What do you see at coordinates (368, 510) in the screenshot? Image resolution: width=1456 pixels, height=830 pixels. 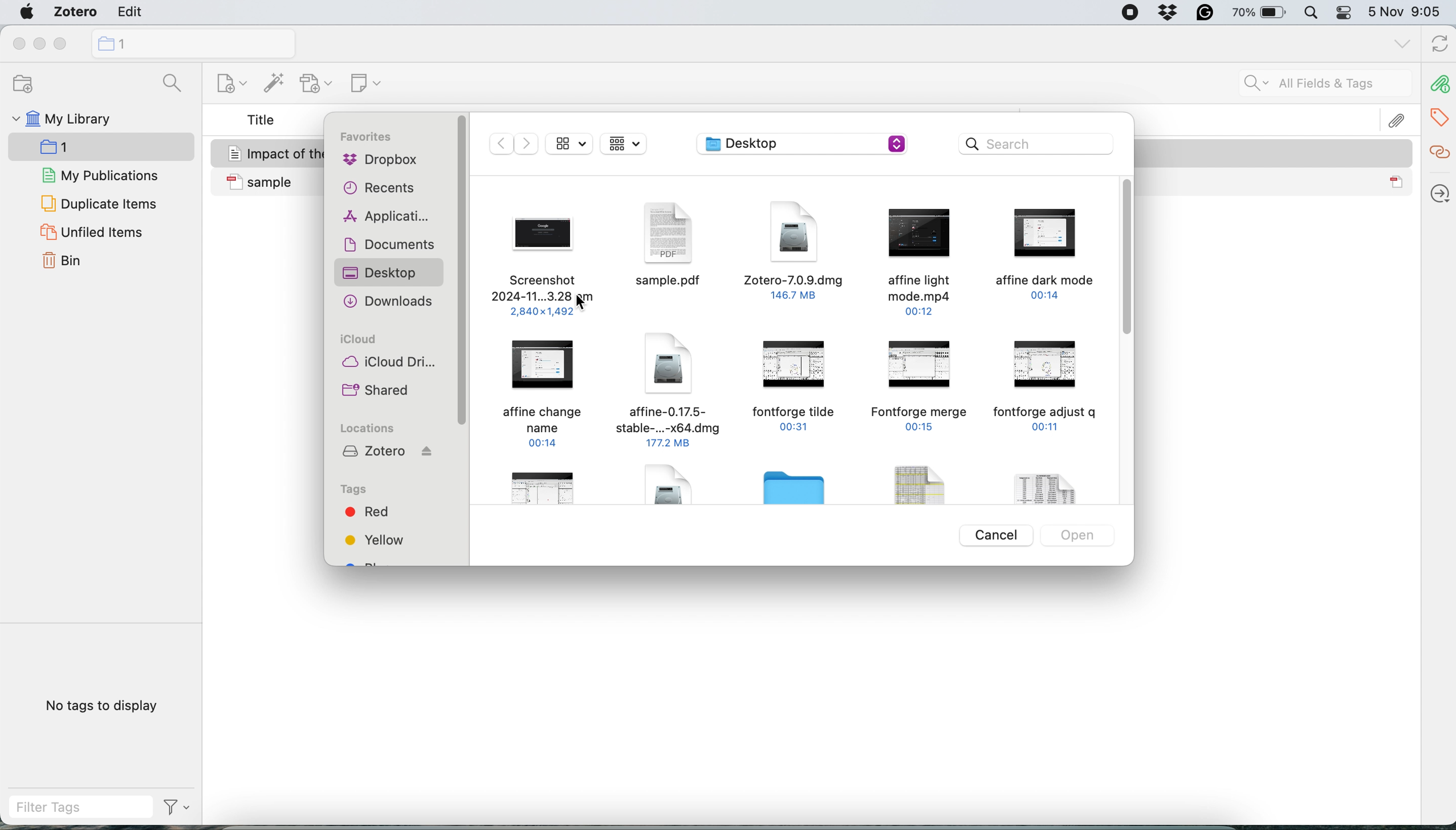 I see `red` at bounding box center [368, 510].